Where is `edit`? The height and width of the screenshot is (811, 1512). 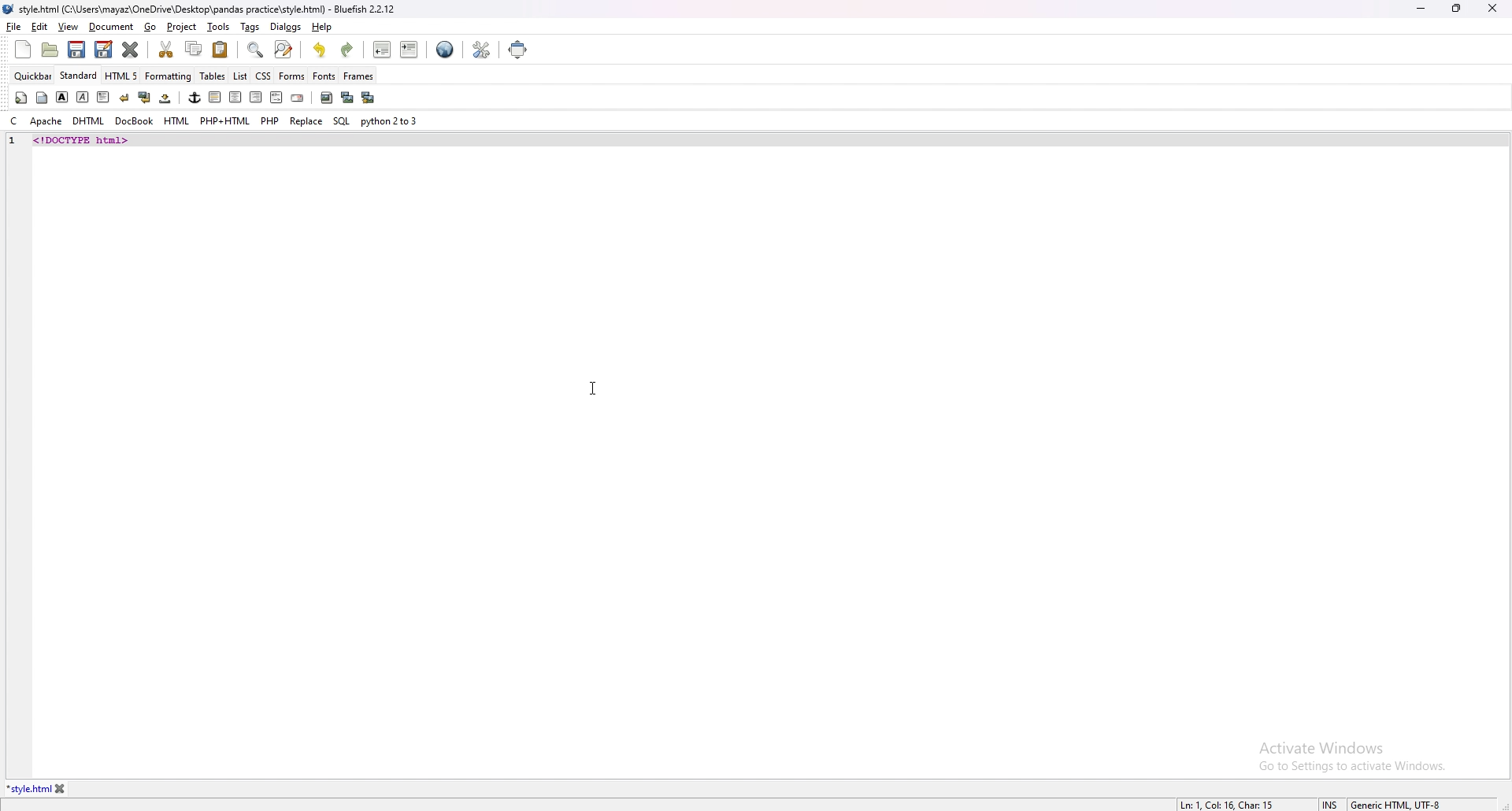 edit is located at coordinates (40, 27).